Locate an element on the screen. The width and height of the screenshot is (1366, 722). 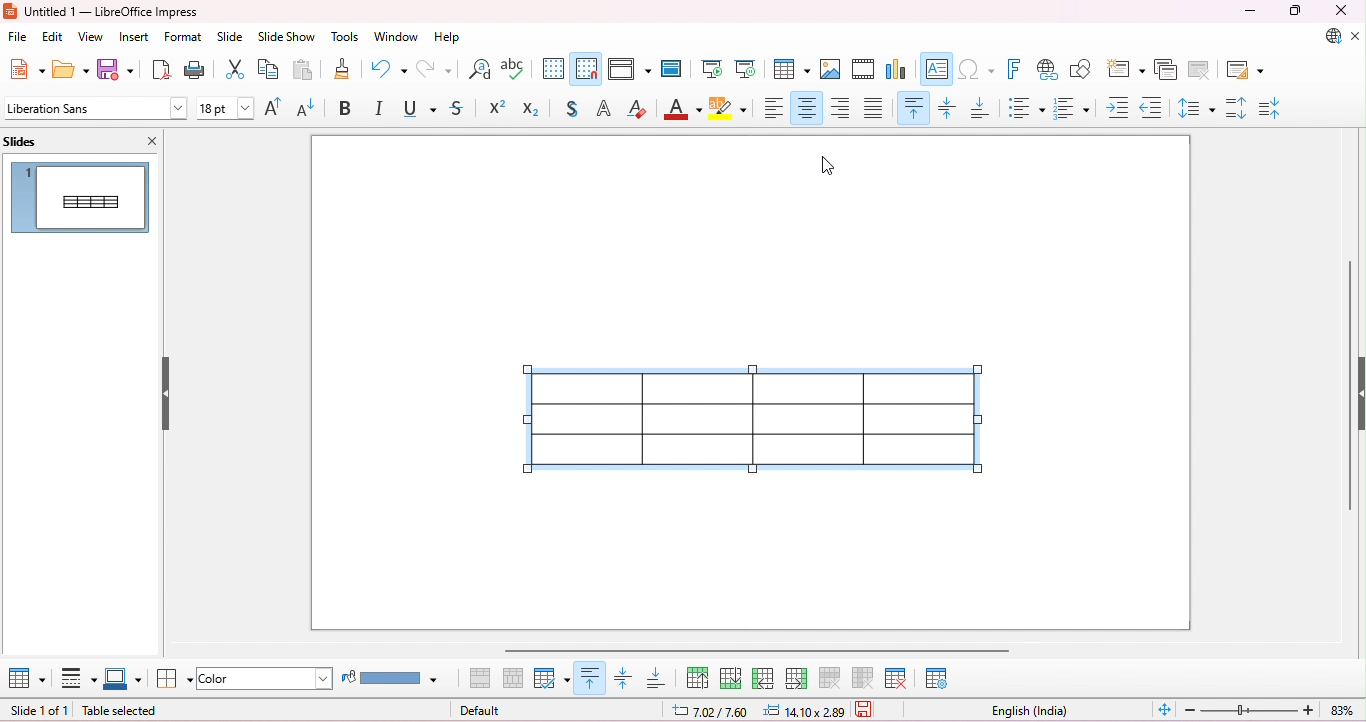
tools is located at coordinates (345, 38).